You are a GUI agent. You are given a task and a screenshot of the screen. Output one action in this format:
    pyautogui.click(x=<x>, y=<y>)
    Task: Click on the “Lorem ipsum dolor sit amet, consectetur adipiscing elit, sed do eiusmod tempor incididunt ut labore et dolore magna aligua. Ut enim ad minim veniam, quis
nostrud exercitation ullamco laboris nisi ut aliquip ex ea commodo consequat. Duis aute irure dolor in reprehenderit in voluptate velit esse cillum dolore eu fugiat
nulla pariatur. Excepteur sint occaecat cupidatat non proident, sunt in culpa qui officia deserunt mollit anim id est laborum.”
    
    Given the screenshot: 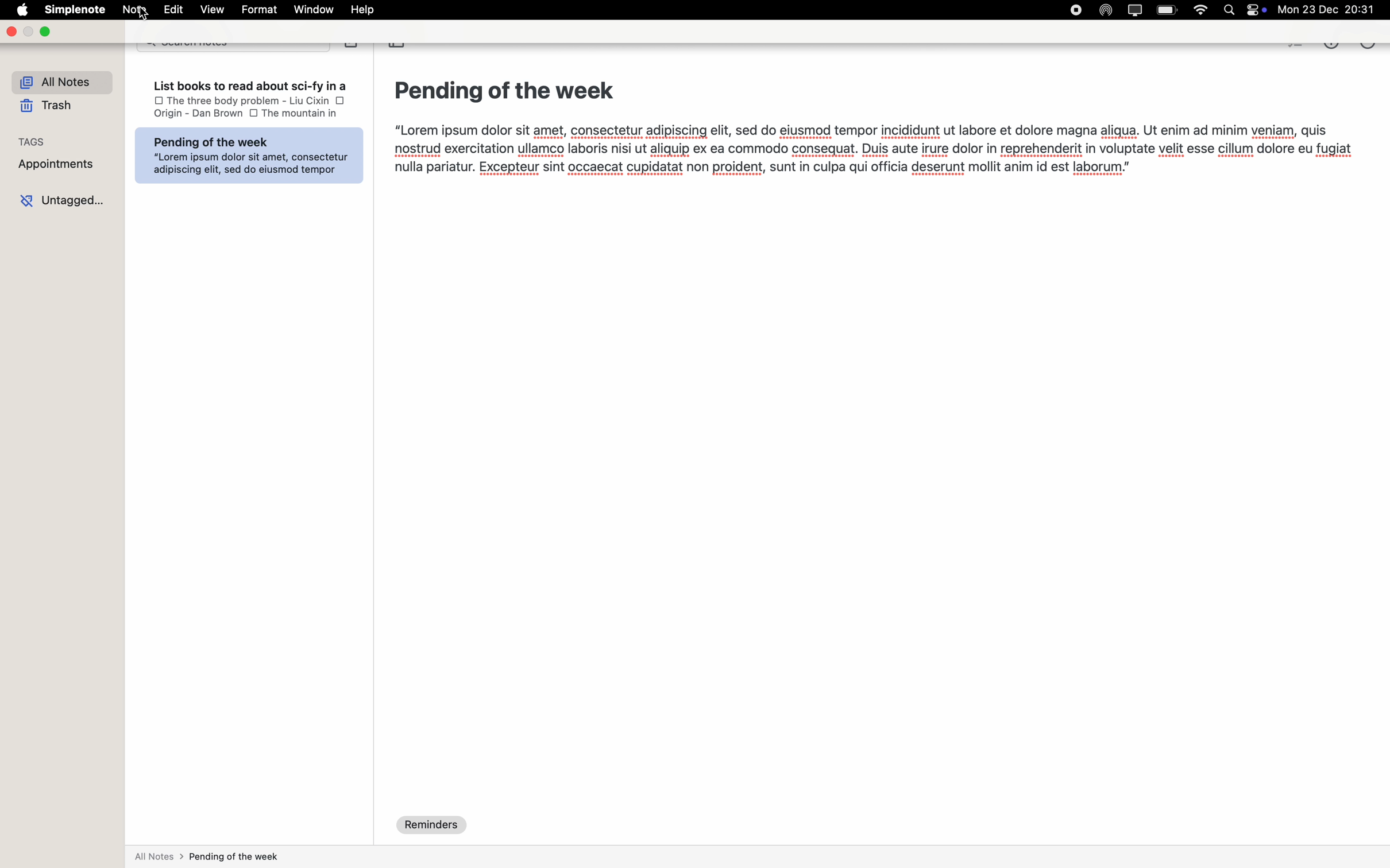 What is the action you would take?
    pyautogui.click(x=868, y=160)
    